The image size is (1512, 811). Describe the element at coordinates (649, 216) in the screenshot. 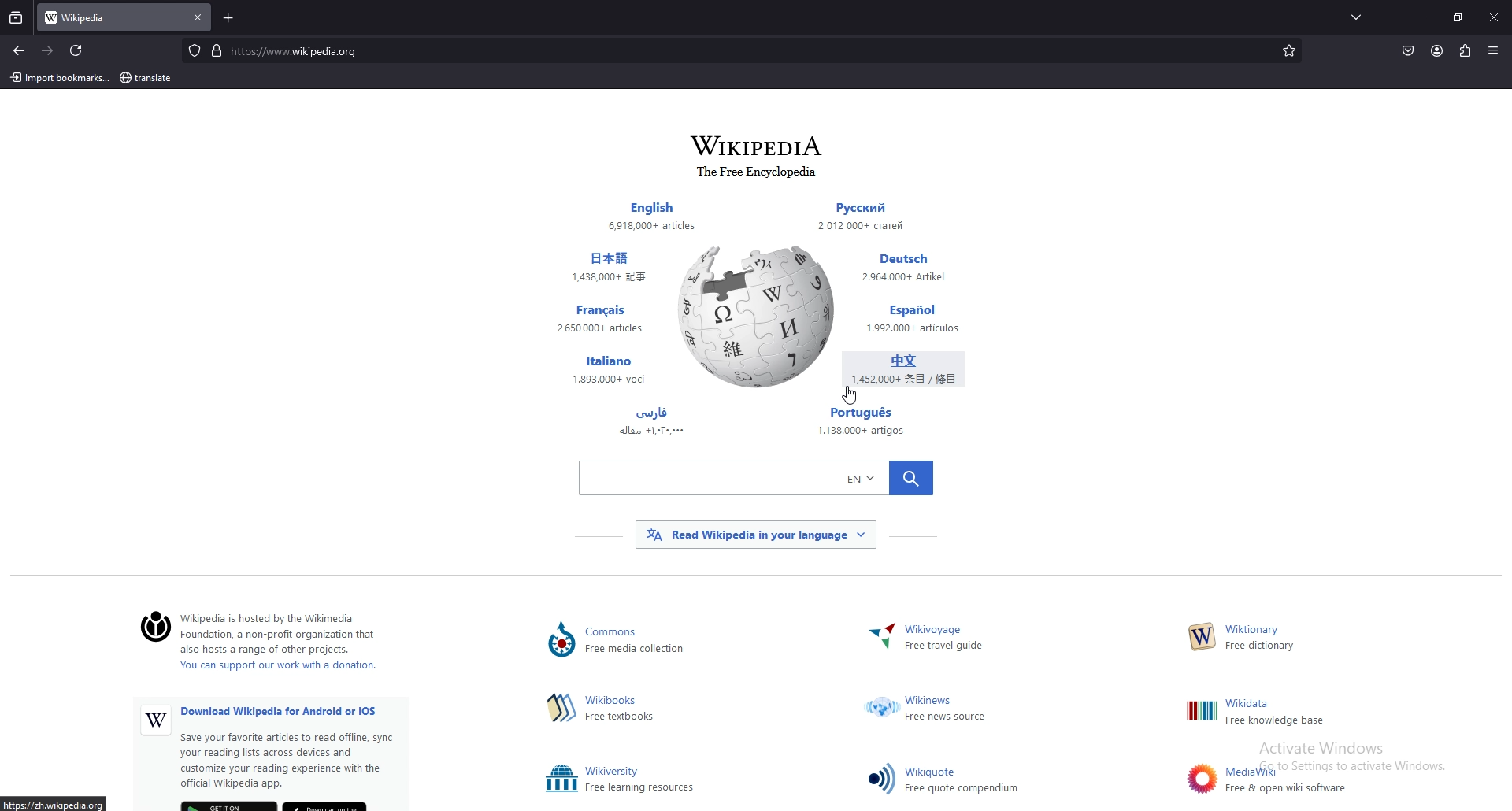

I see `` at that location.